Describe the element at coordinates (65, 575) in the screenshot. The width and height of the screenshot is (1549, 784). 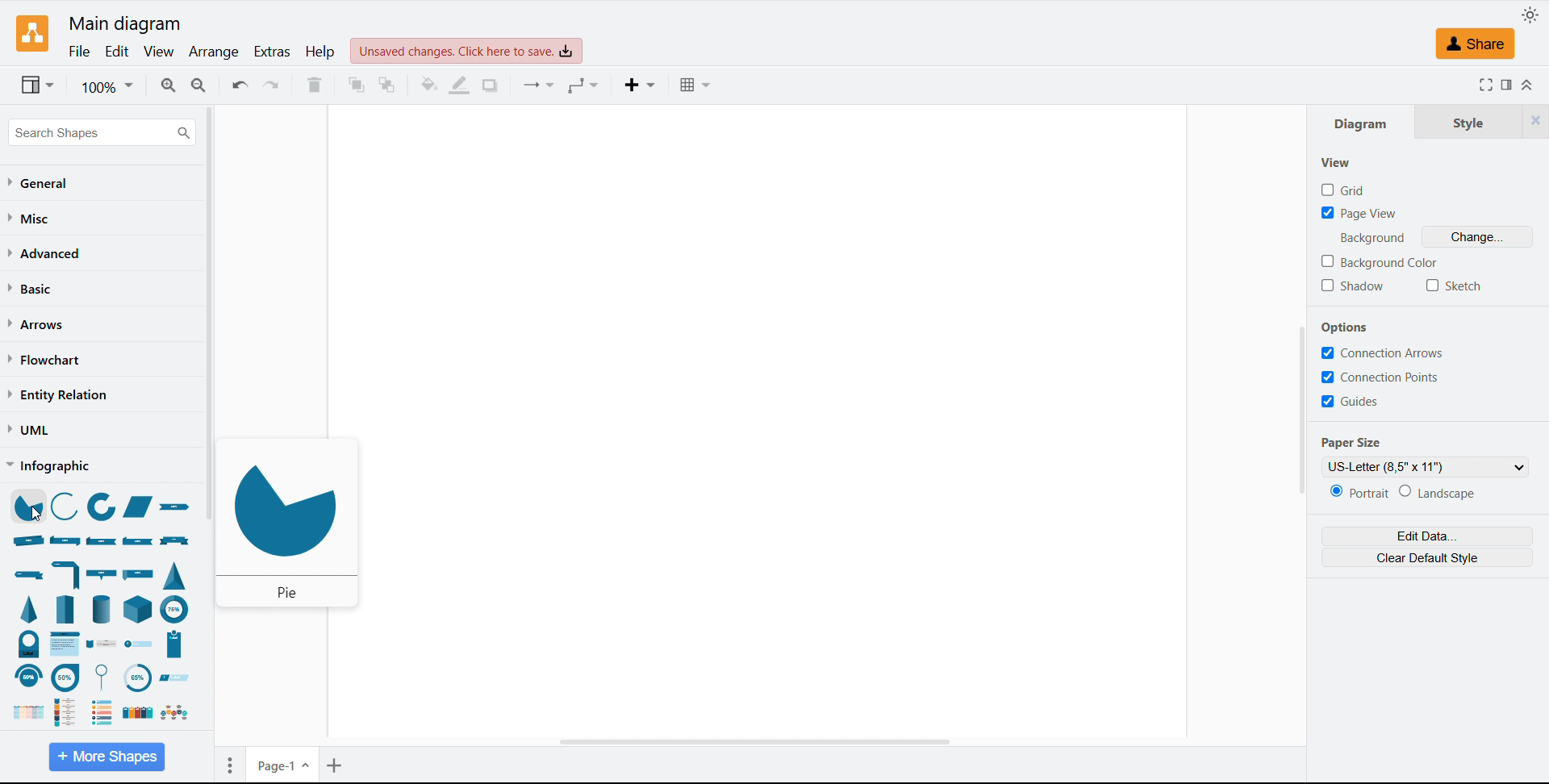
I see `banner half fold` at that location.